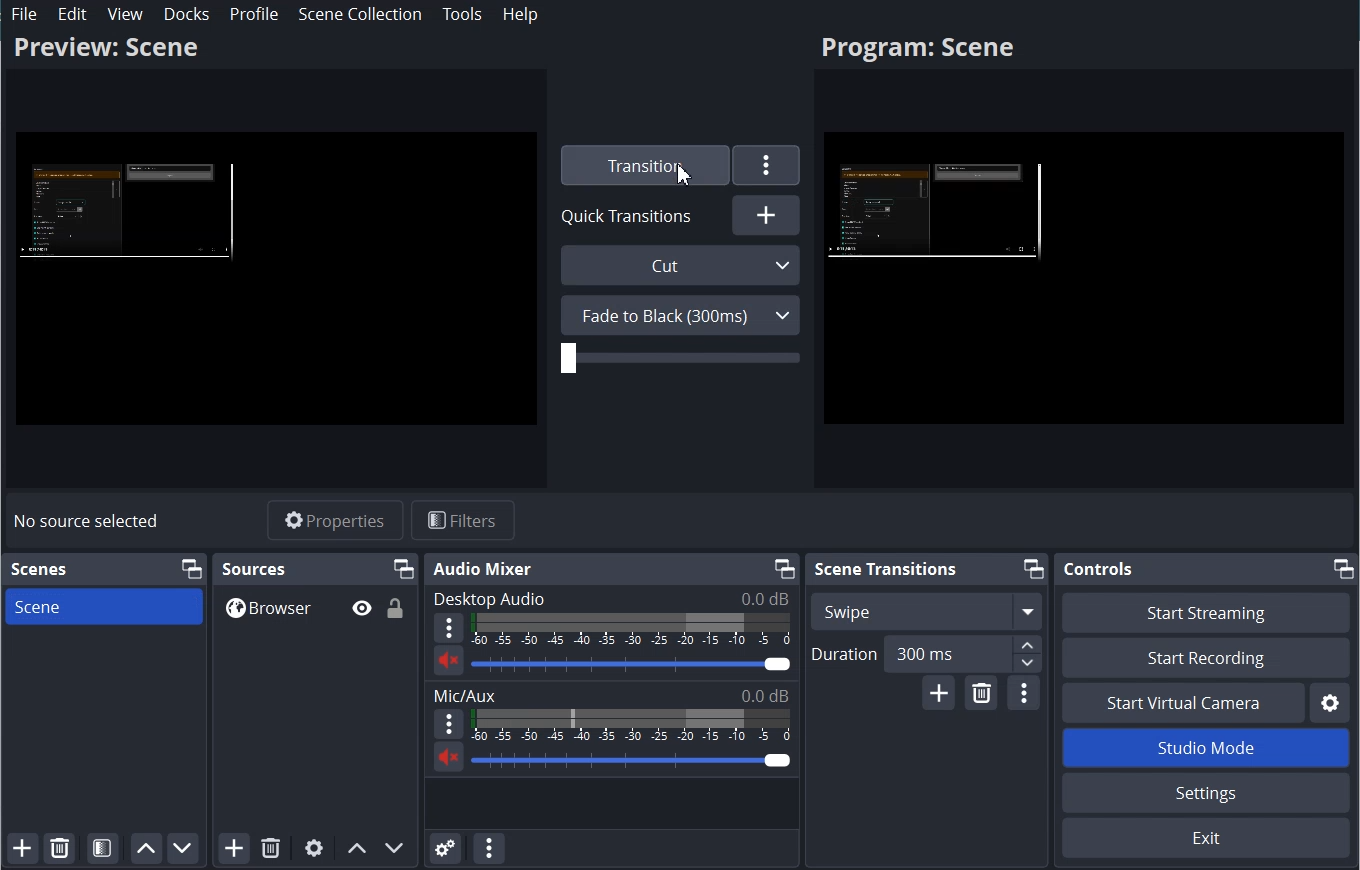  What do you see at coordinates (885, 568) in the screenshot?
I see `Scene Transition` at bounding box center [885, 568].